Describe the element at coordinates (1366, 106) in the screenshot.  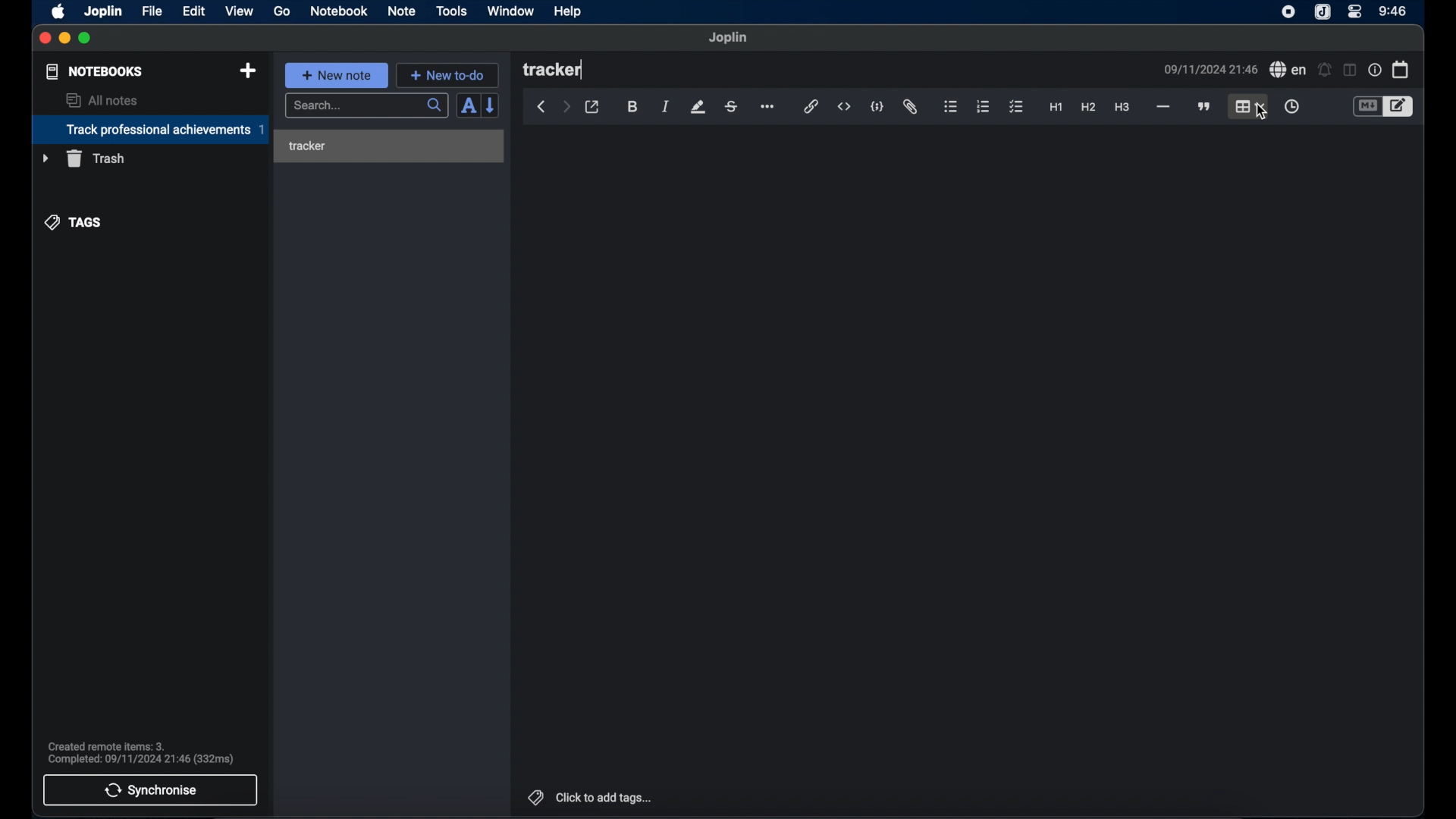
I see `toggle editor` at that location.